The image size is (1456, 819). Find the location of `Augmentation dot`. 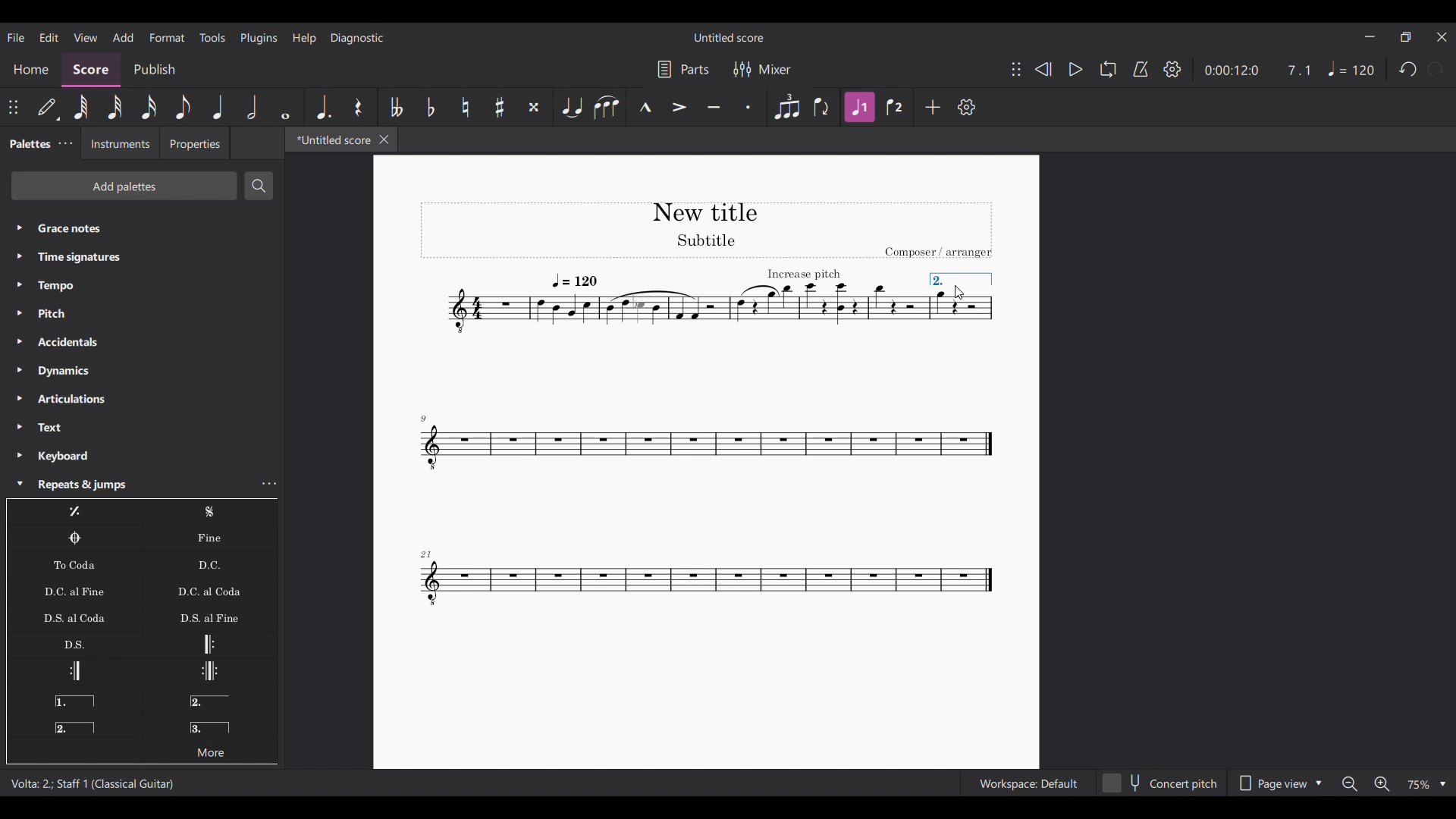

Augmentation dot is located at coordinates (323, 107).